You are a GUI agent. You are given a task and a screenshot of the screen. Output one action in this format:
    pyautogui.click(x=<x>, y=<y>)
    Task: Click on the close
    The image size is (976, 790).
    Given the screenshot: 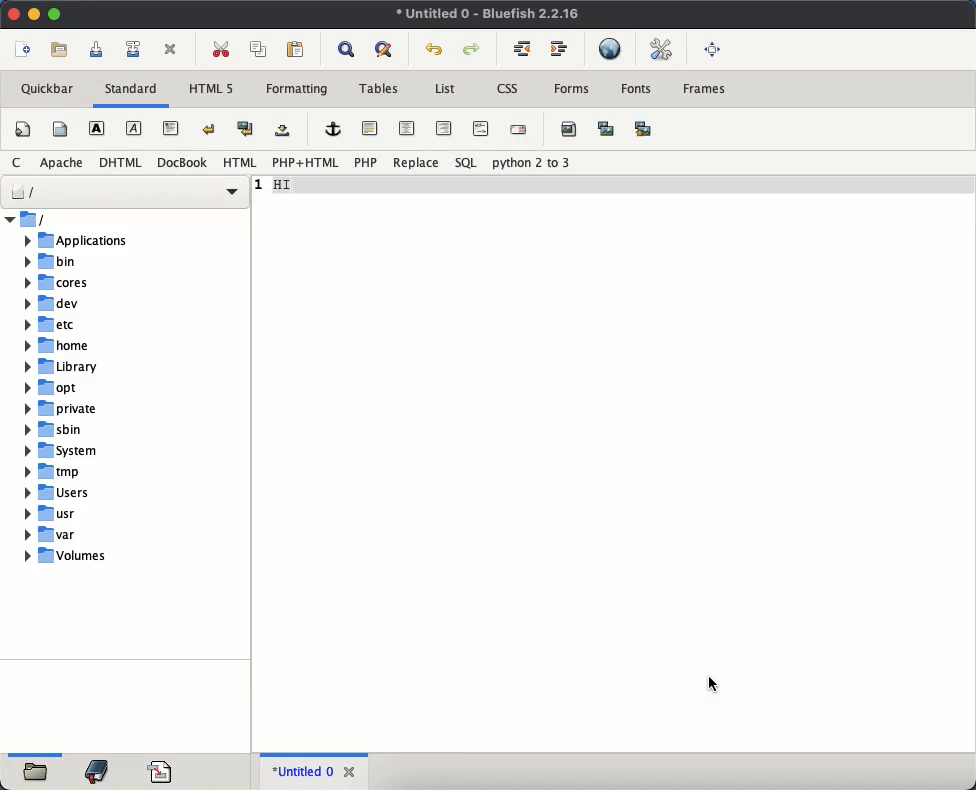 What is the action you would take?
    pyautogui.click(x=14, y=13)
    